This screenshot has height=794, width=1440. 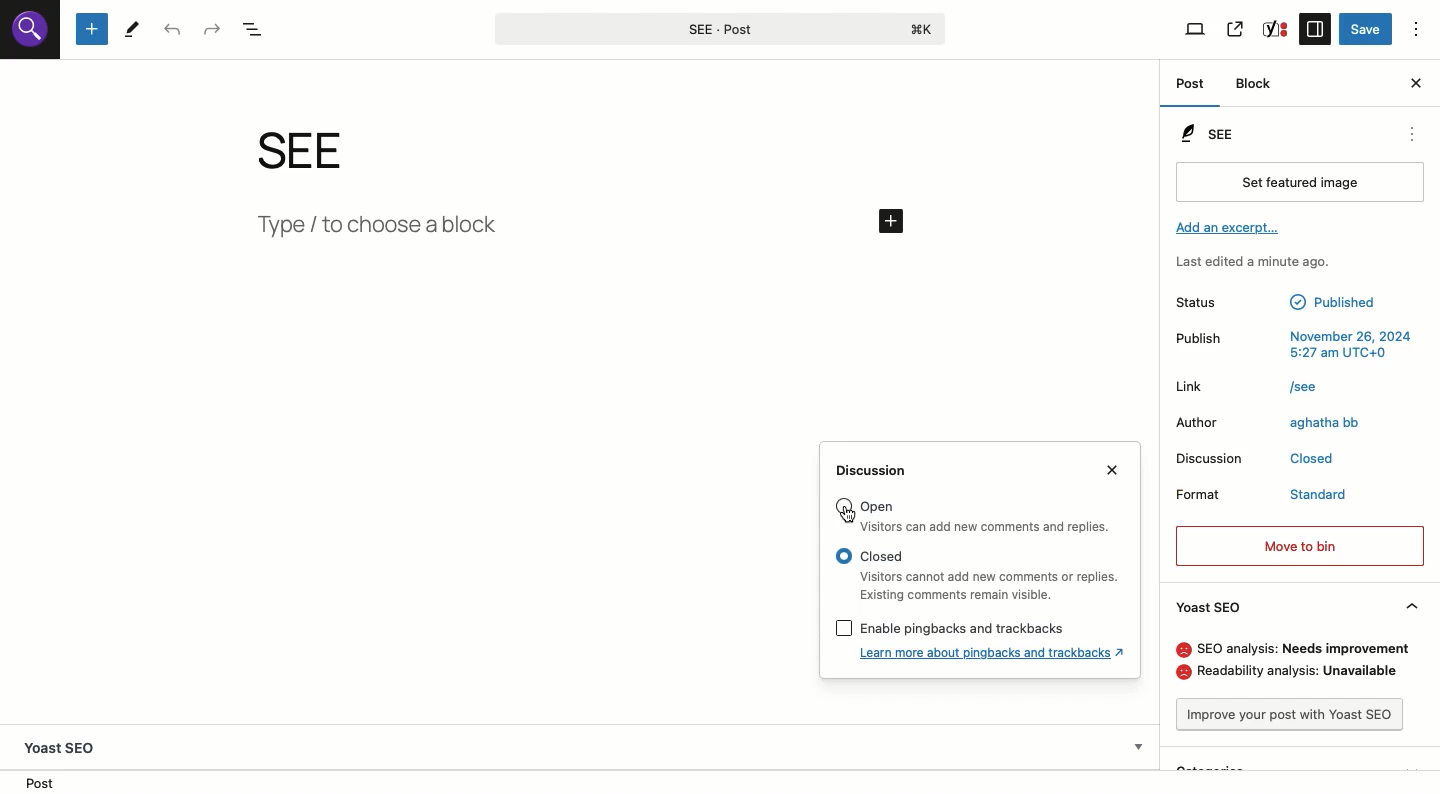 I want to click on View post, so click(x=1237, y=27).